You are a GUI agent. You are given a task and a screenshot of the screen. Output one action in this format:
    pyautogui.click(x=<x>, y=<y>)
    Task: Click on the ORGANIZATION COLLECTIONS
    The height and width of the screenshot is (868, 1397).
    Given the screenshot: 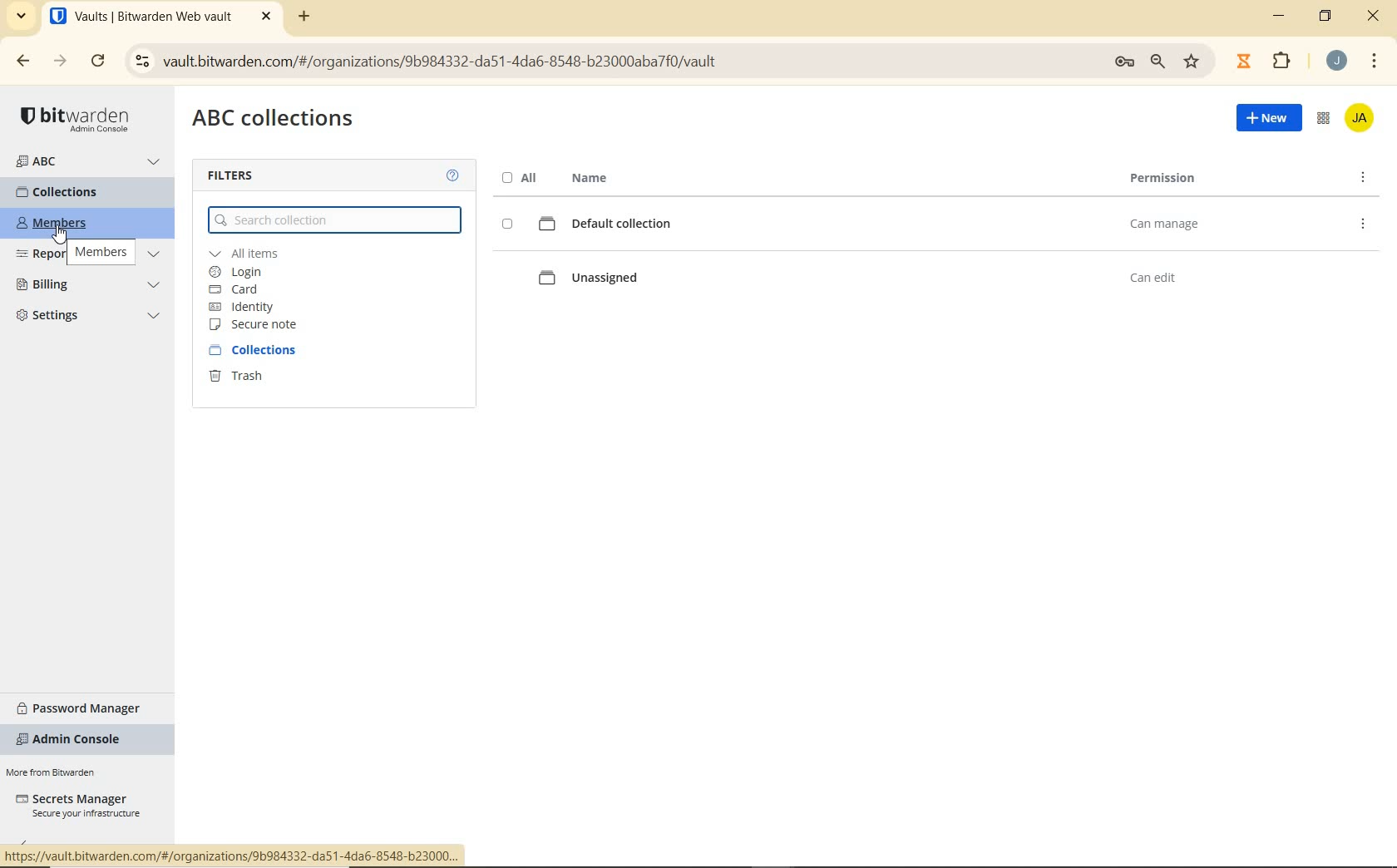 What is the action you would take?
    pyautogui.click(x=275, y=121)
    